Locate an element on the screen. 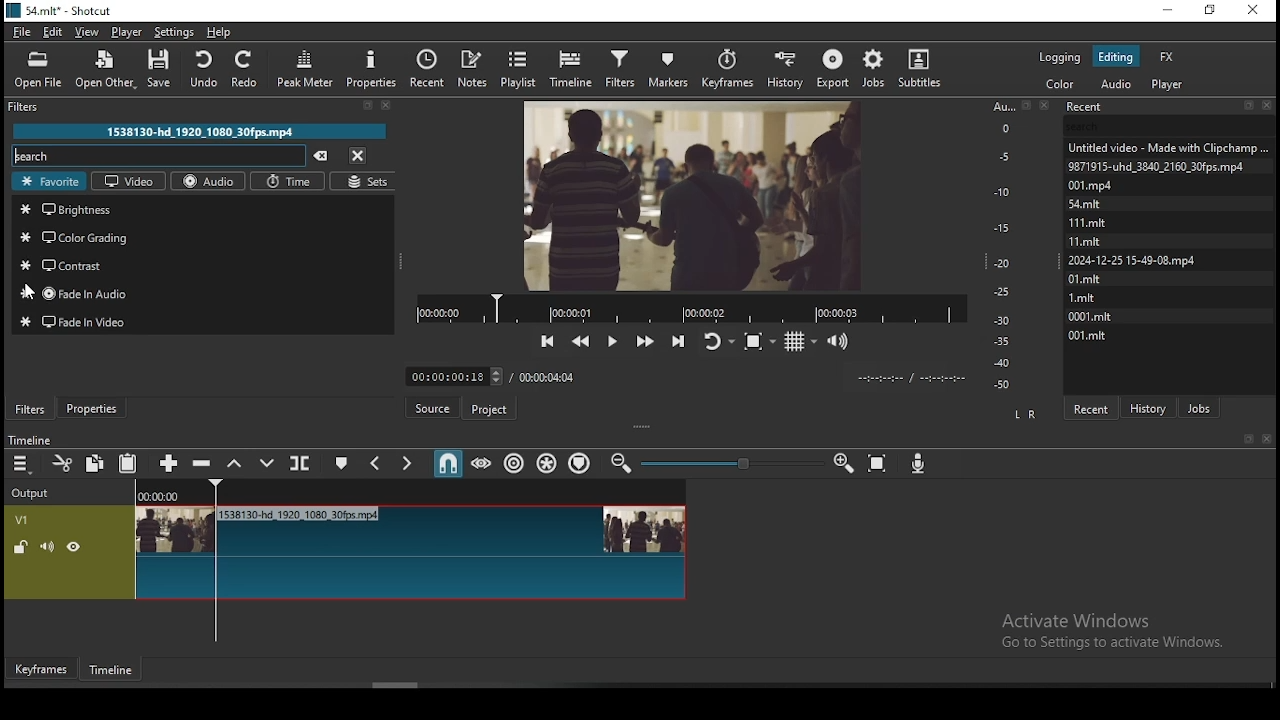 This screenshot has height=720, width=1280. timeline is located at coordinates (115, 672).